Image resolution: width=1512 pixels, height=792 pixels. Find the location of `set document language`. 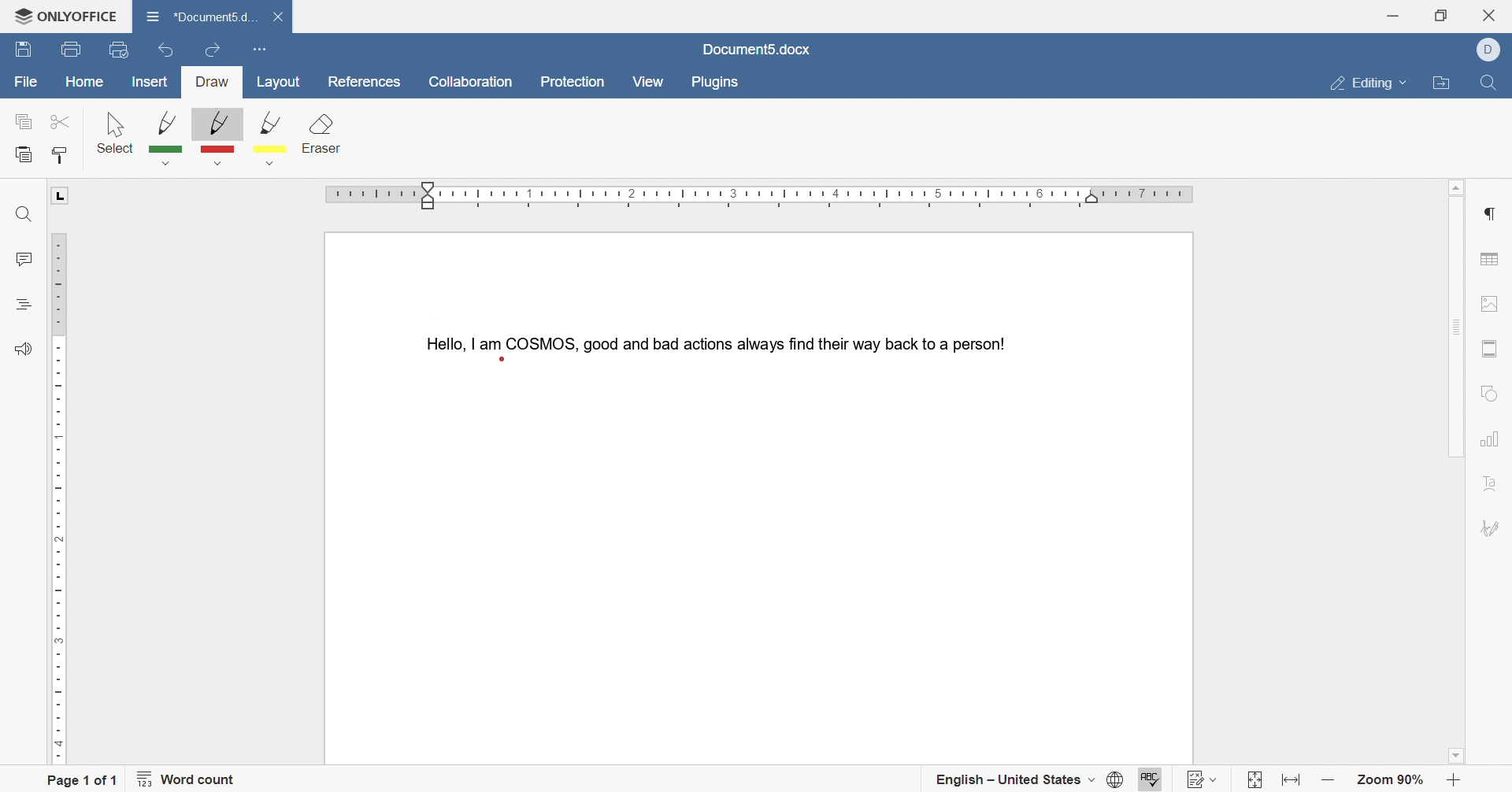

set document language is located at coordinates (1113, 781).